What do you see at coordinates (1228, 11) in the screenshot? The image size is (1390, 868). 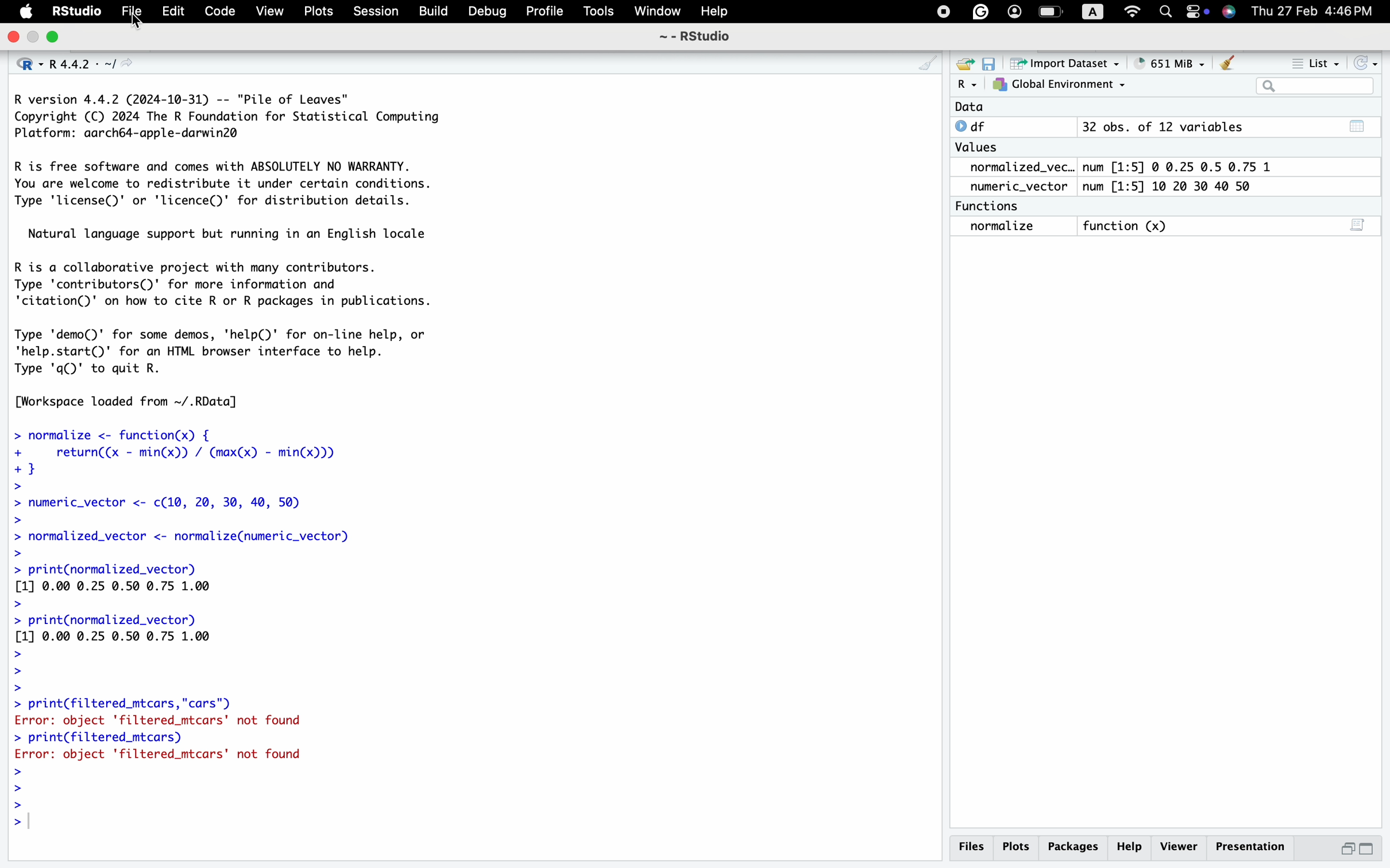 I see `utility` at bounding box center [1228, 11].